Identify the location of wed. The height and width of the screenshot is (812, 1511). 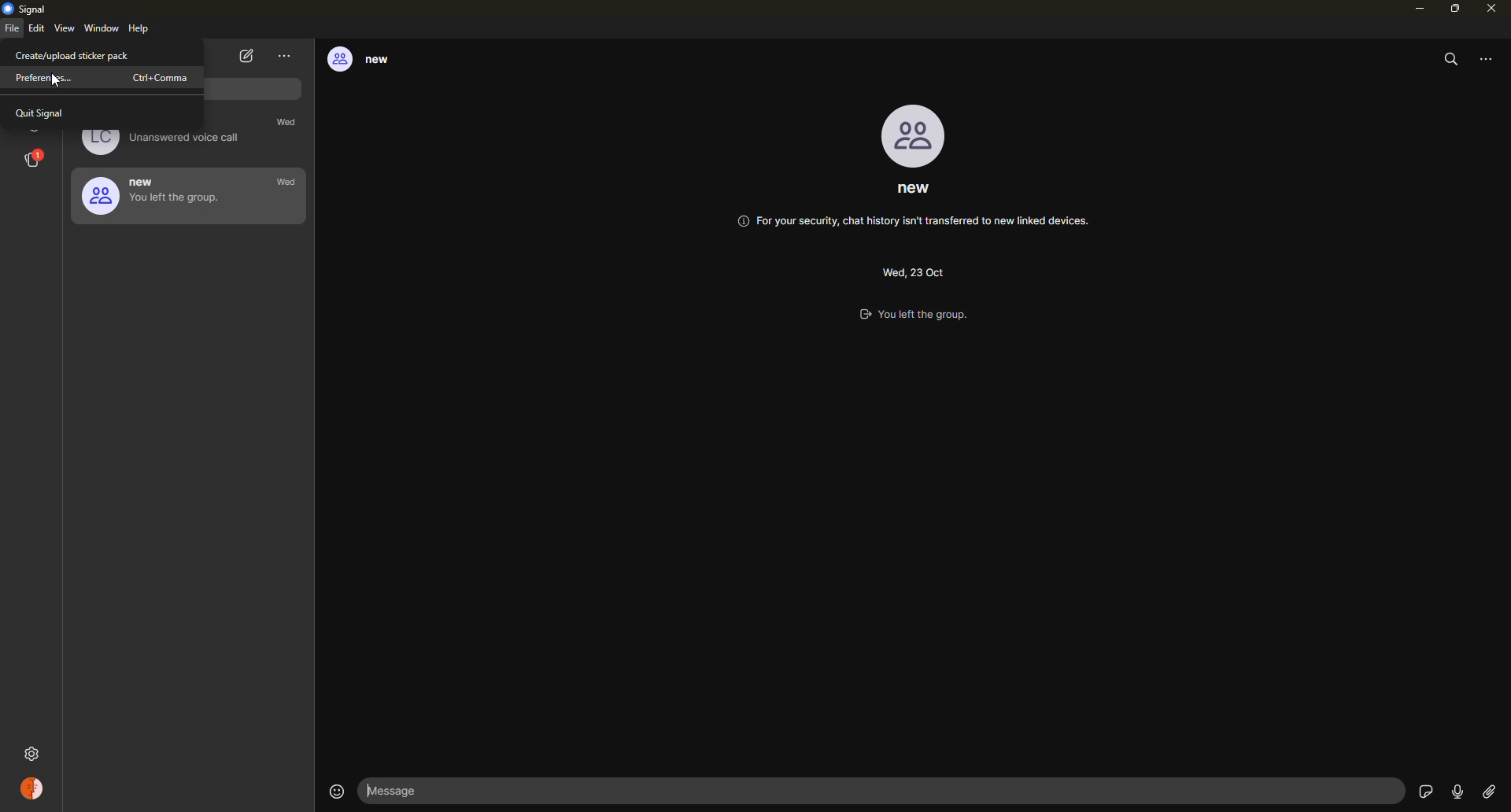
(290, 124).